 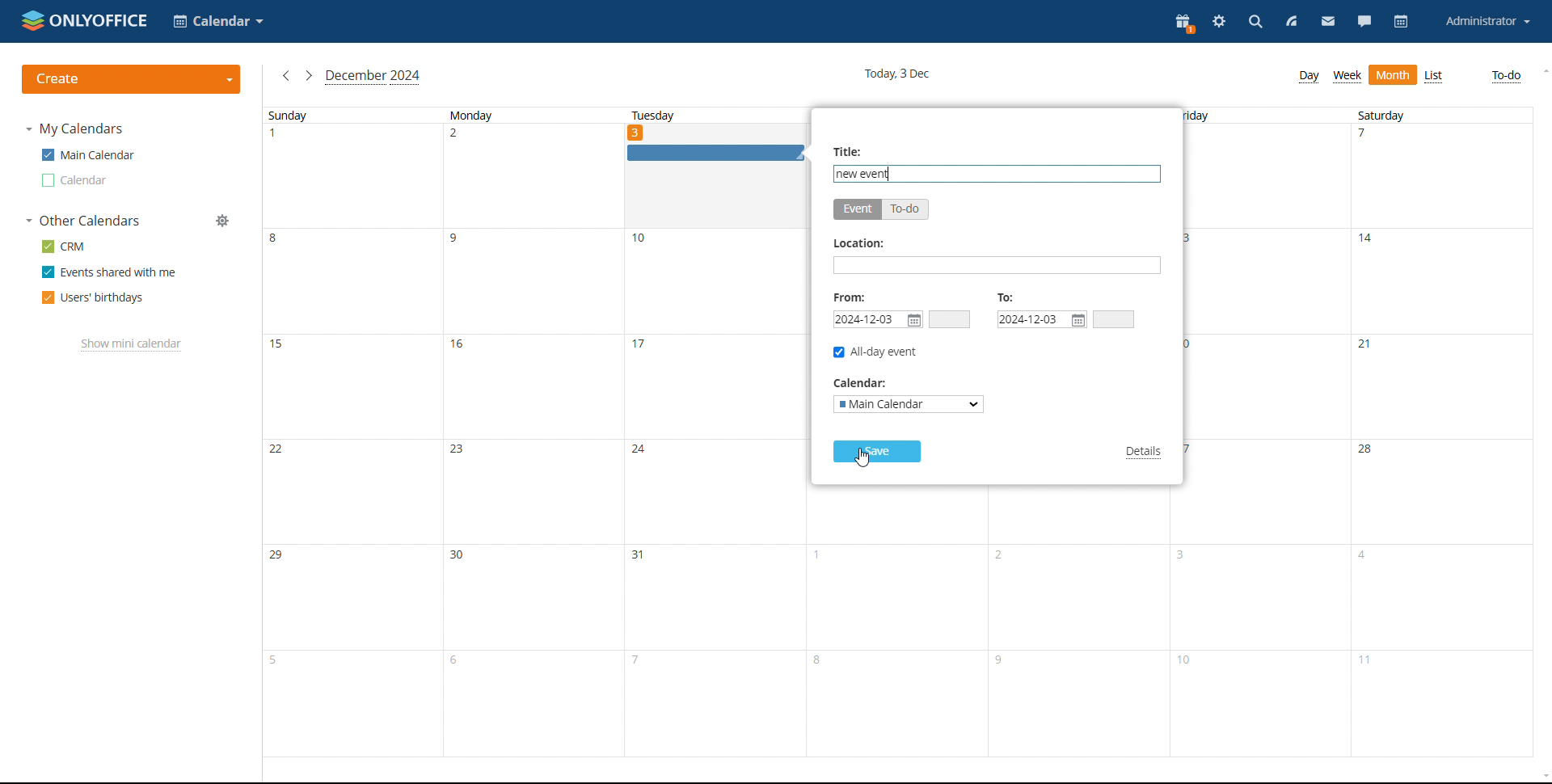 I want to click on add location, so click(x=997, y=265).